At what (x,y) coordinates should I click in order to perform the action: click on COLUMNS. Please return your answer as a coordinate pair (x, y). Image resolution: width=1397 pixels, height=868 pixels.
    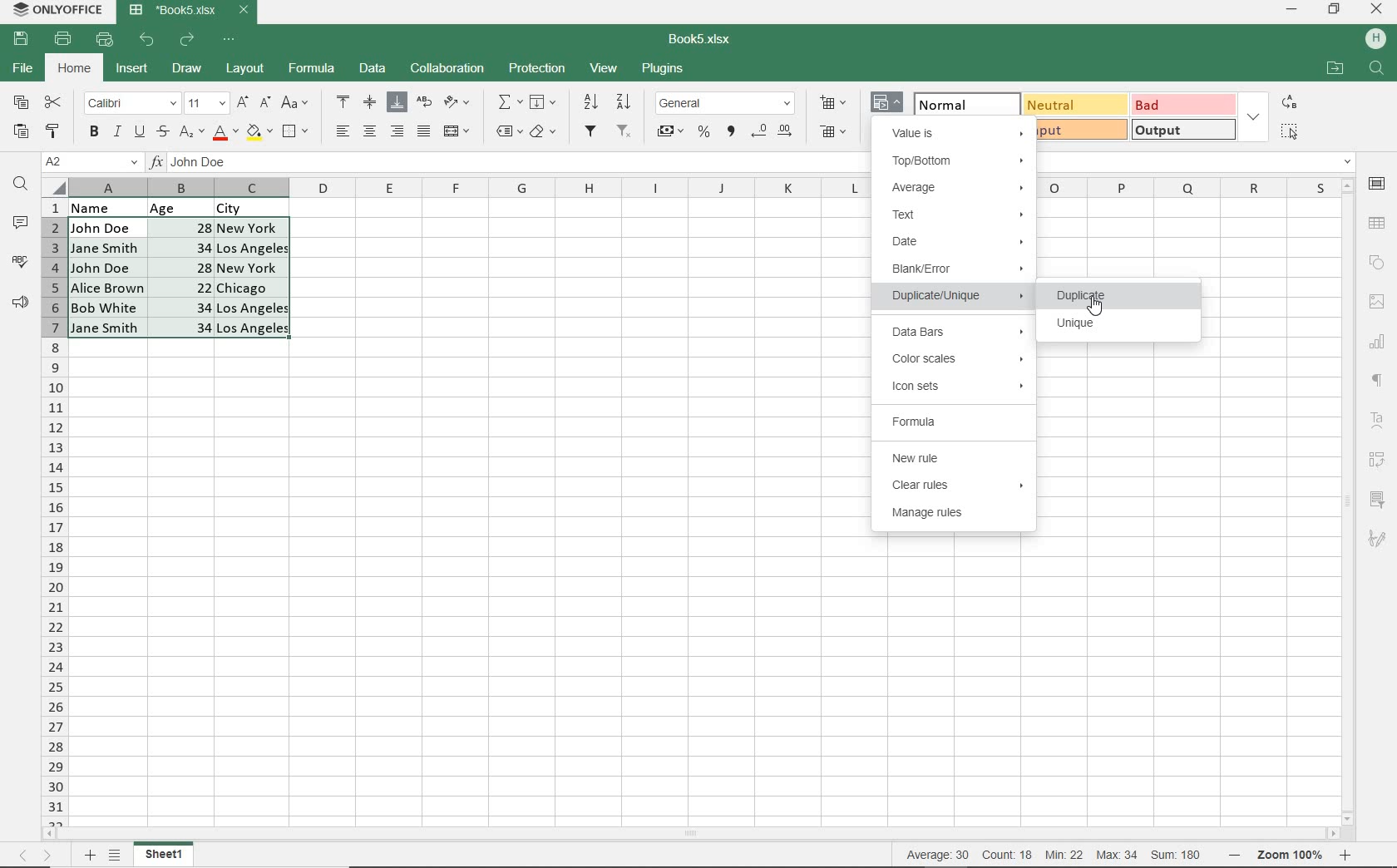
    Looking at the image, I should click on (54, 511).